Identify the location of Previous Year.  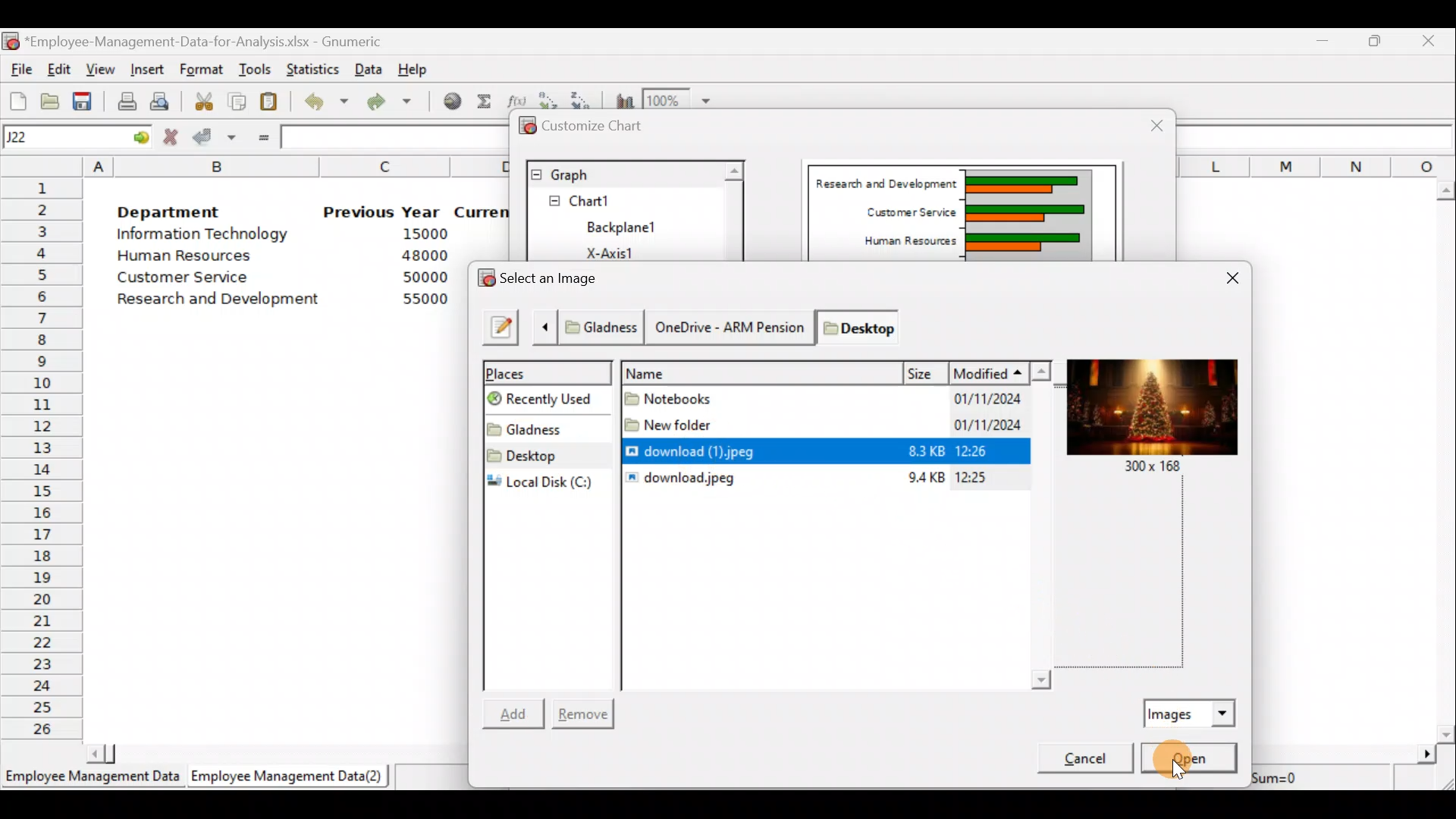
(383, 211).